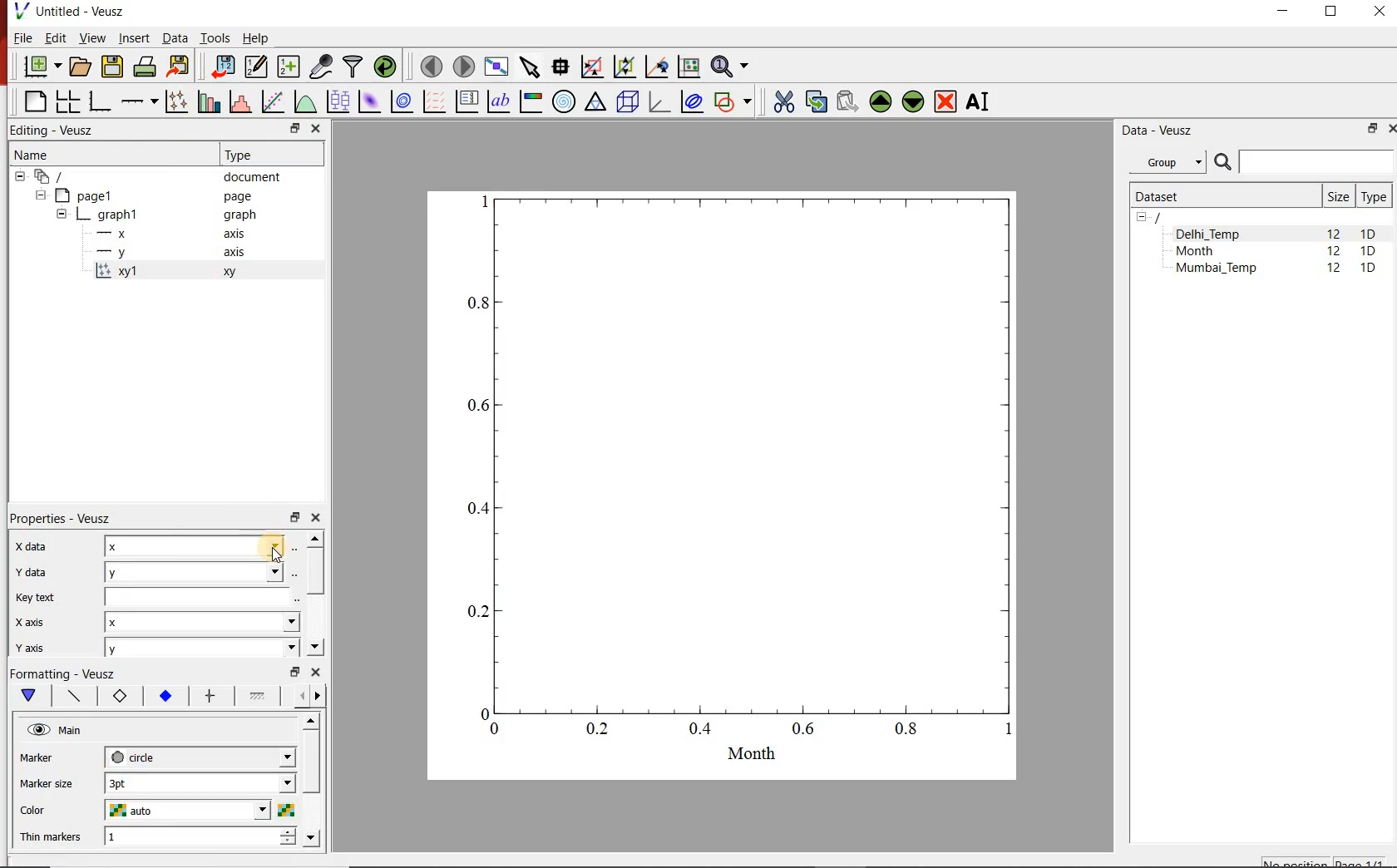  What do you see at coordinates (1207, 251) in the screenshot?
I see `Month` at bounding box center [1207, 251].